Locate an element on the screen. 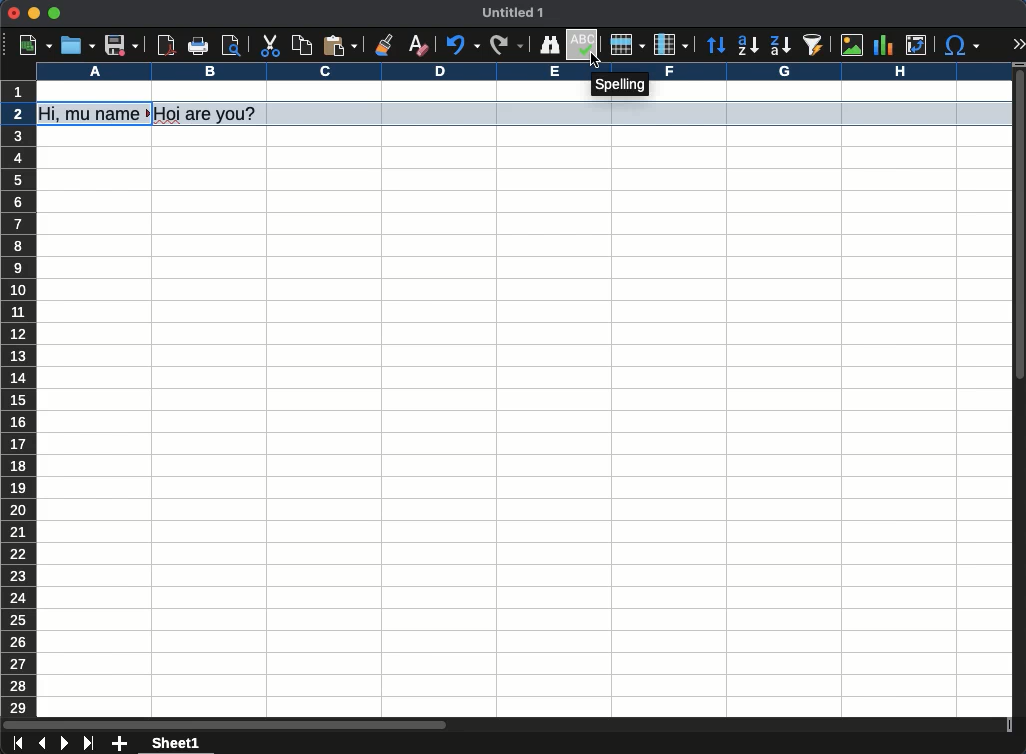 Image resolution: width=1026 pixels, height=754 pixels. open is located at coordinates (76, 45).